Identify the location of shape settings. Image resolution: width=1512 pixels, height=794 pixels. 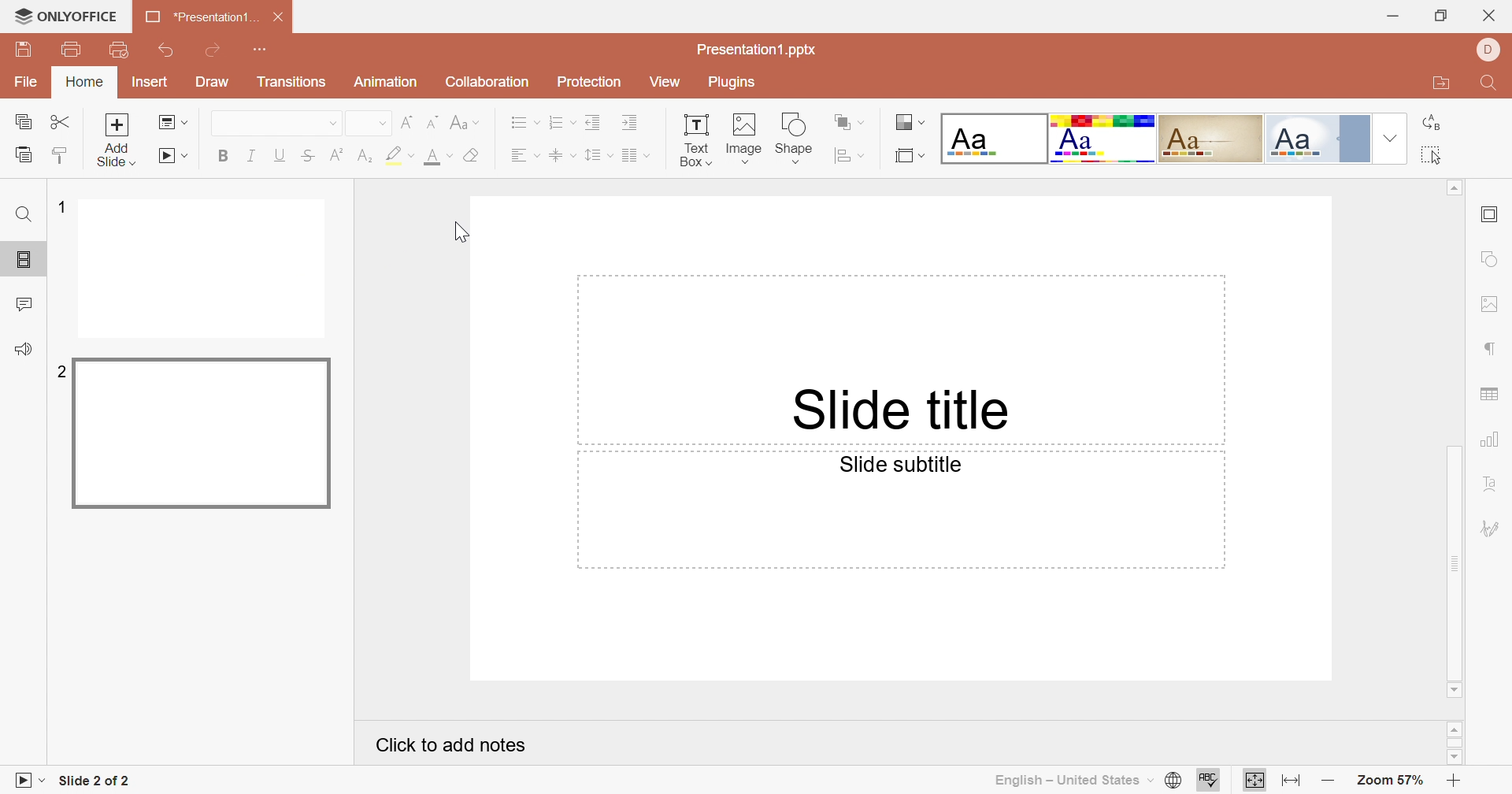
(1491, 260).